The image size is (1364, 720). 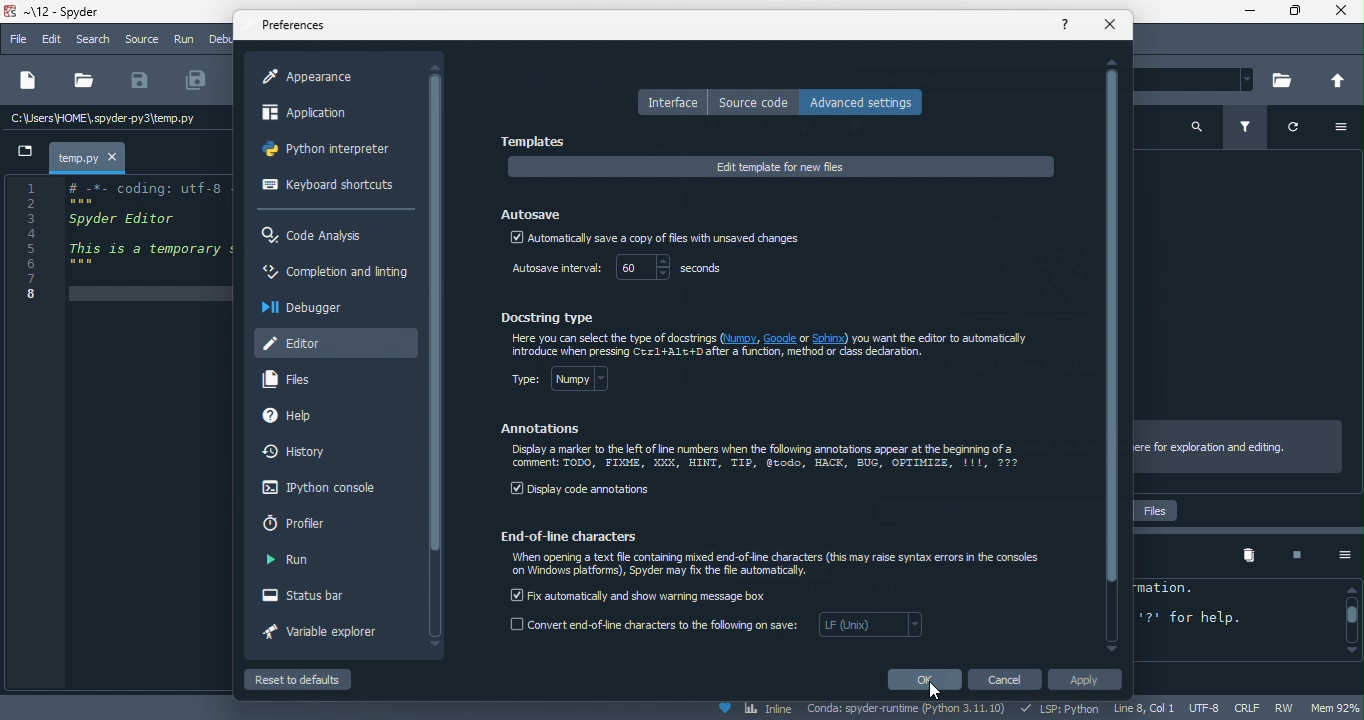 What do you see at coordinates (1291, 80) in the screenshot?
I see `` at bounding box center [1291, 80].